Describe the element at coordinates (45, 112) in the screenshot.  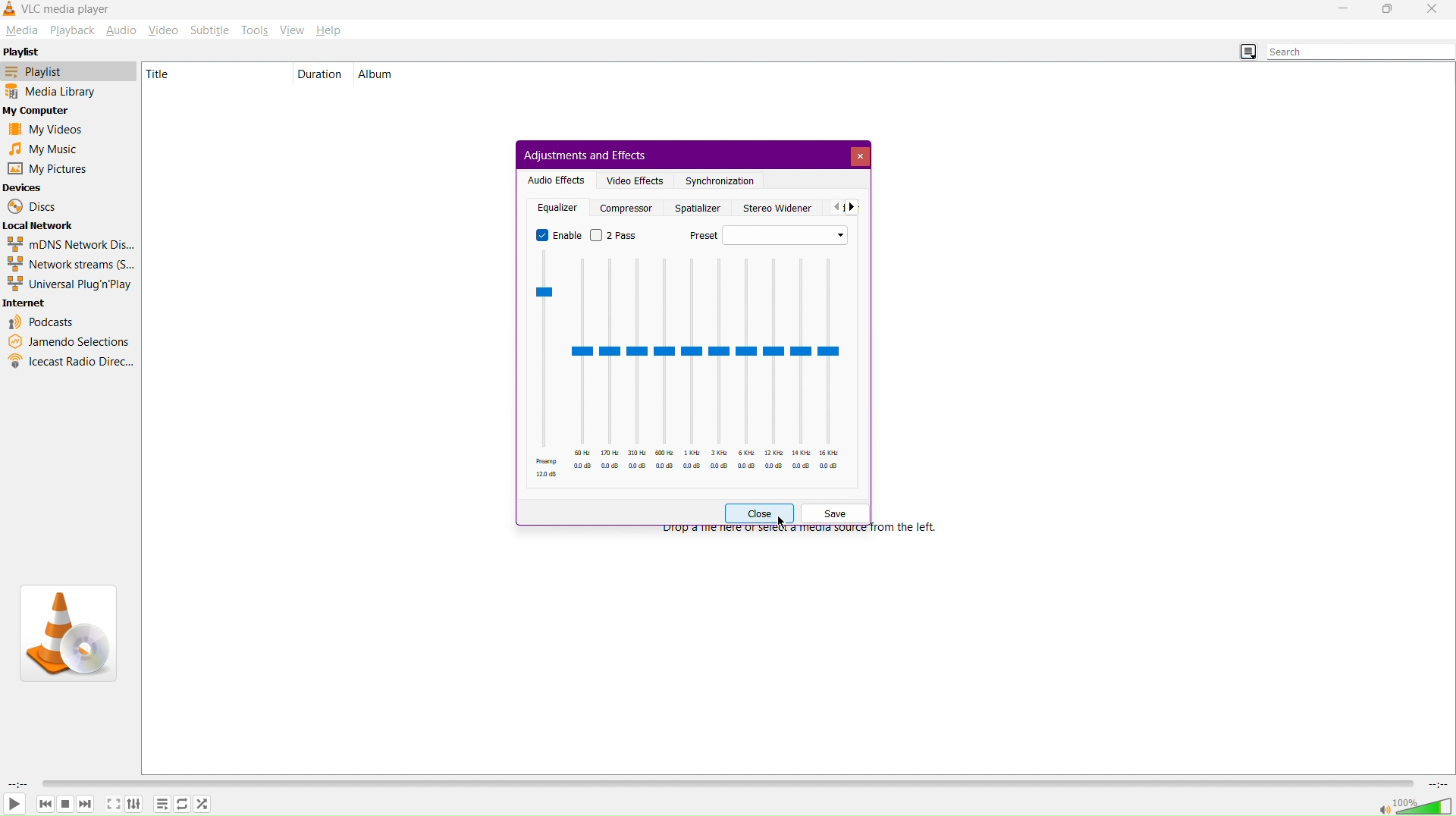
I see `My Computer` at that location.